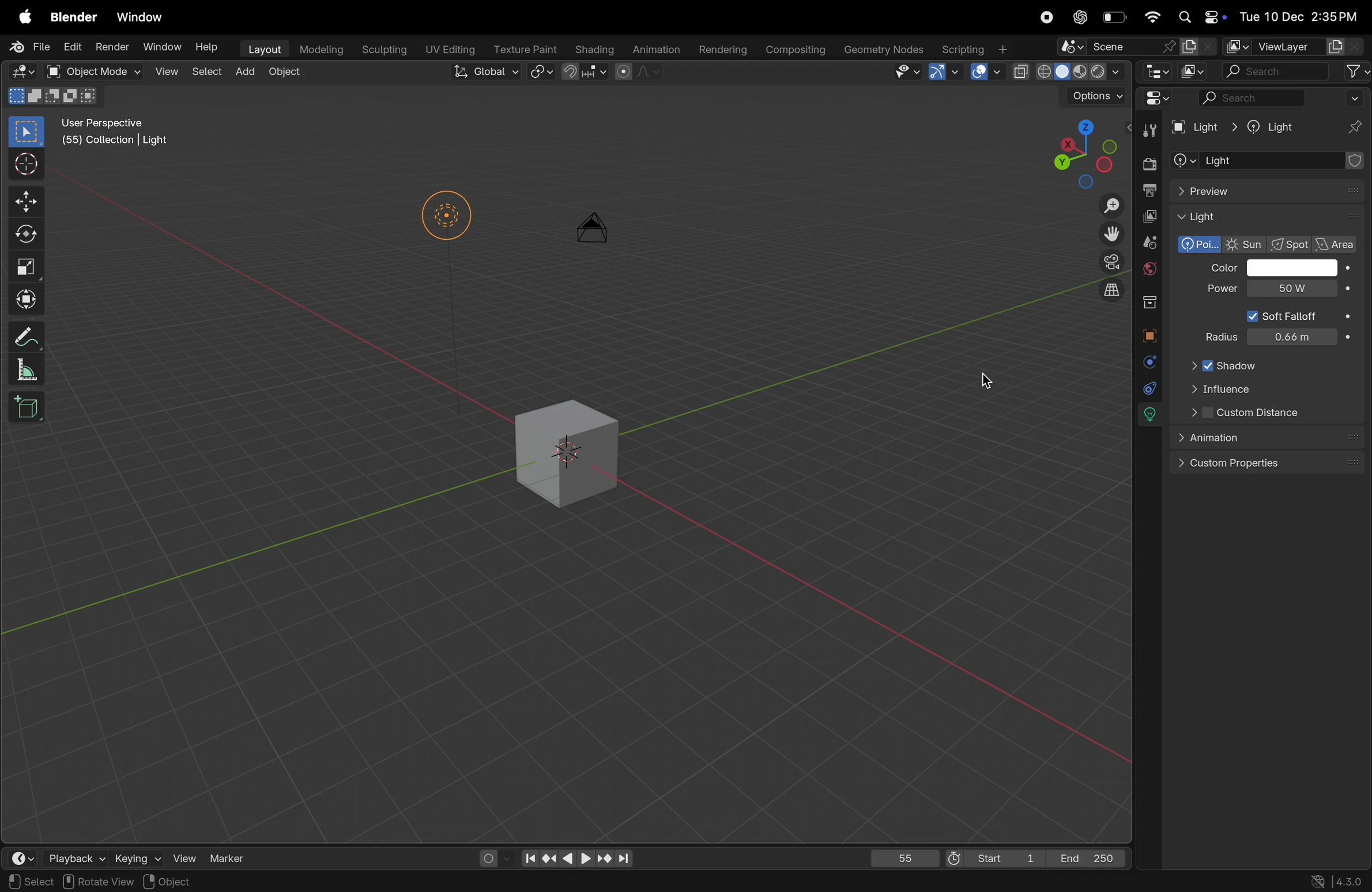 This screenshot has width=1372, height=892. Describe the element at coordinates (1198, 245) in the screenshot. I see `polarized` at that location.